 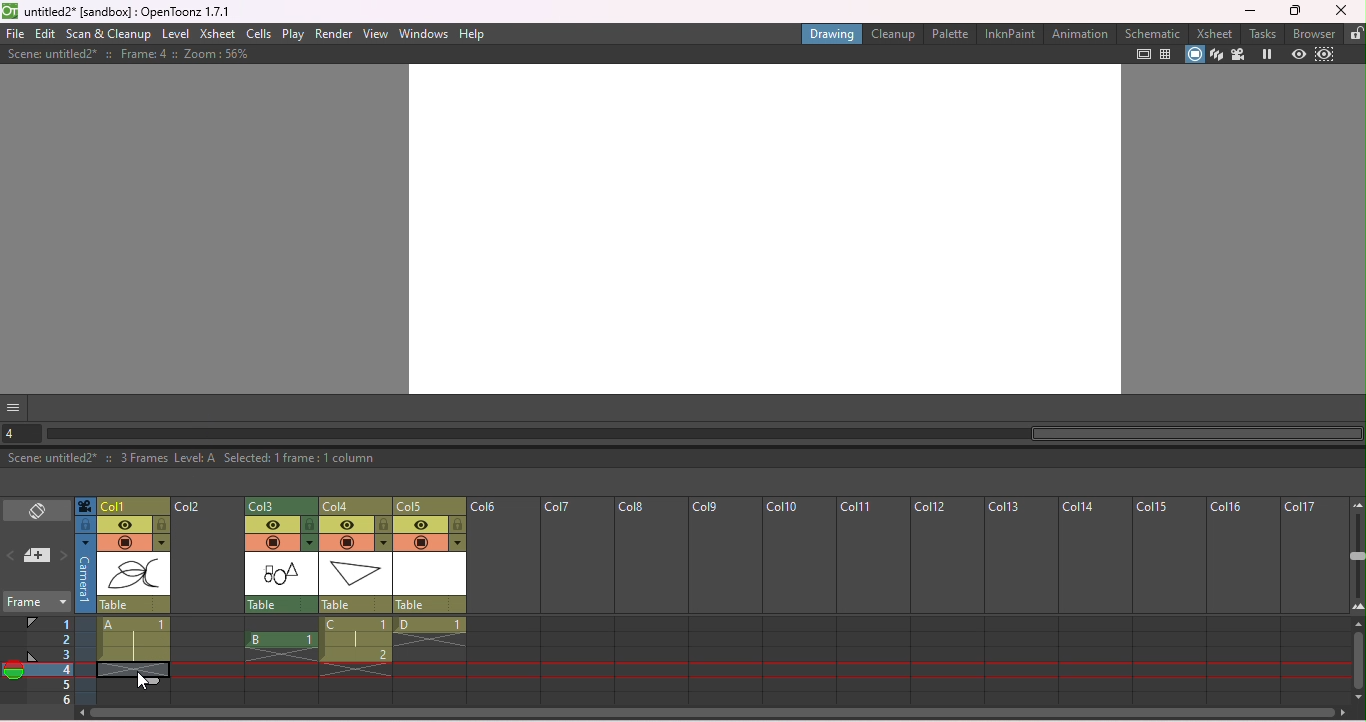 What do you see at coordinates (1357, 610) in the screenshot?
I see `Zoom in` at bounding box center [1357, 610].